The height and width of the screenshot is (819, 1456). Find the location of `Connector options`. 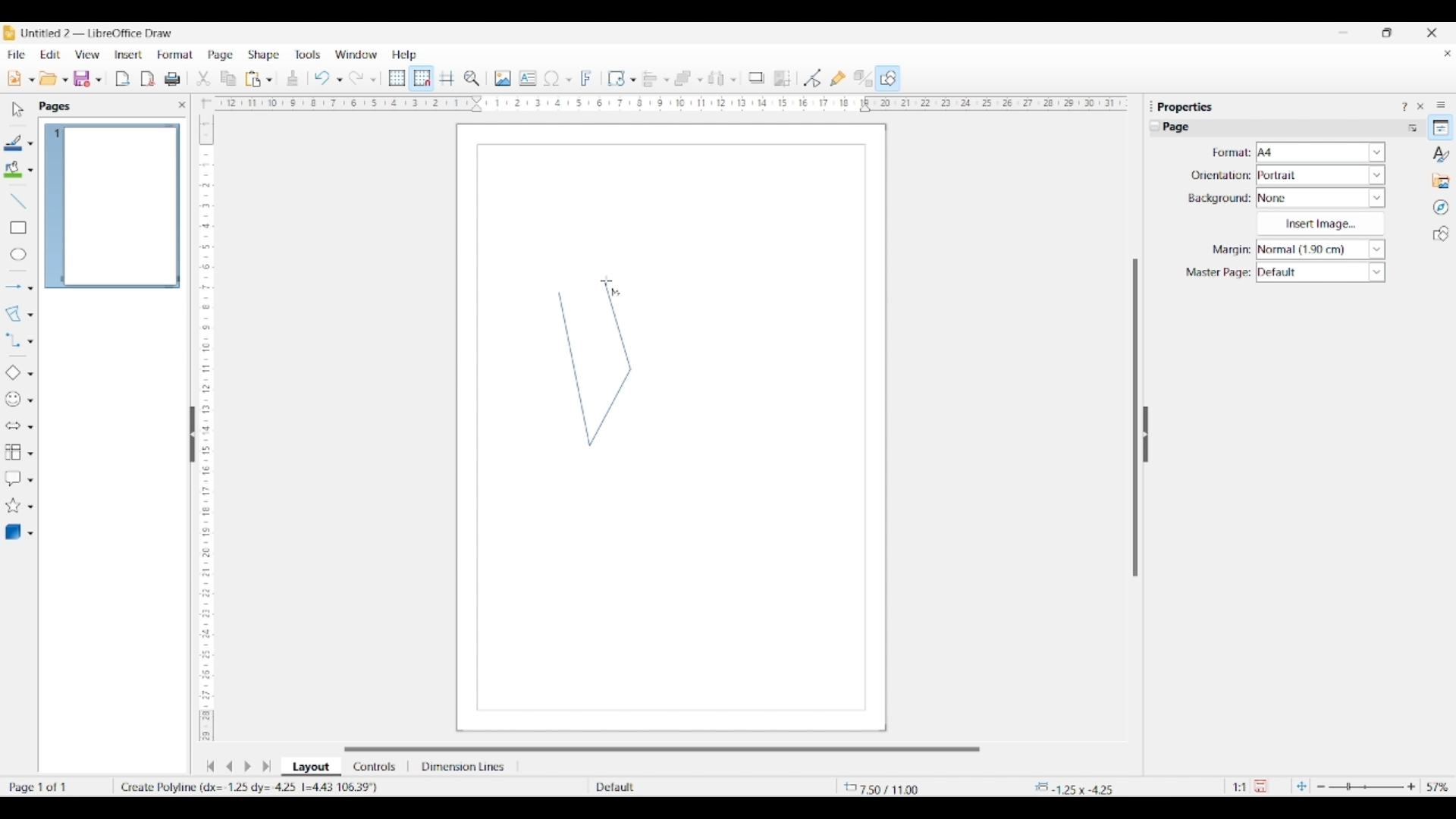

Connector options is located at coordinates (30, 341).